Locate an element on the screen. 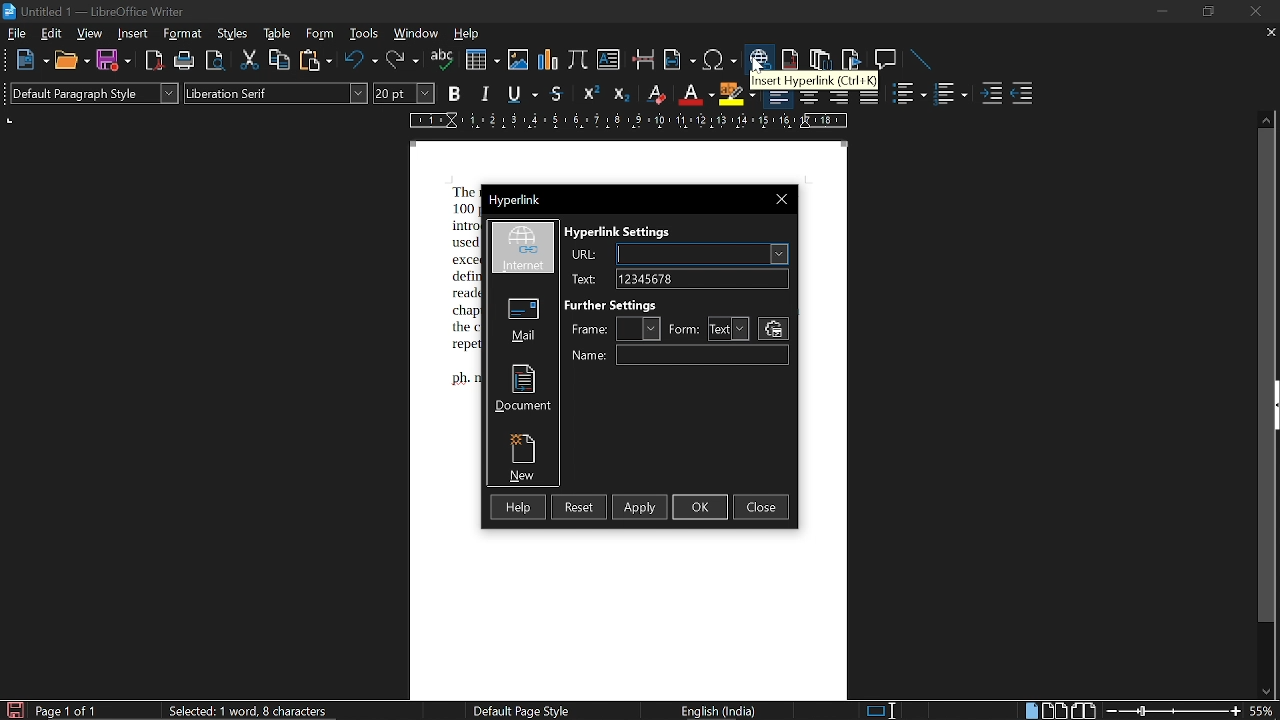 The image size is (1280, 720). insert text is located at coordinates (610, 59).